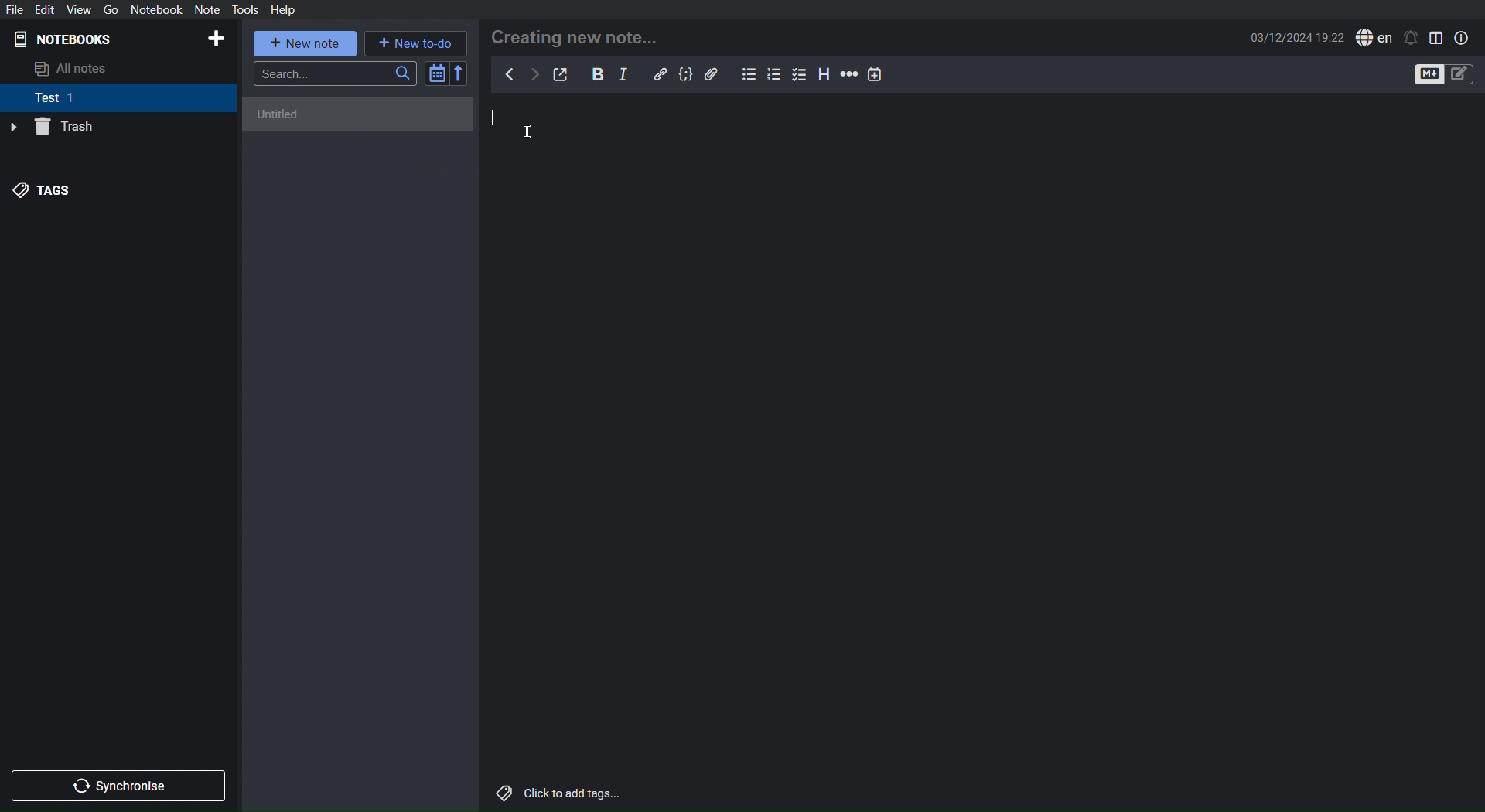  Describe the element at coordinates (660, 74) in the screenshot. I see `Insert Link` at that location.